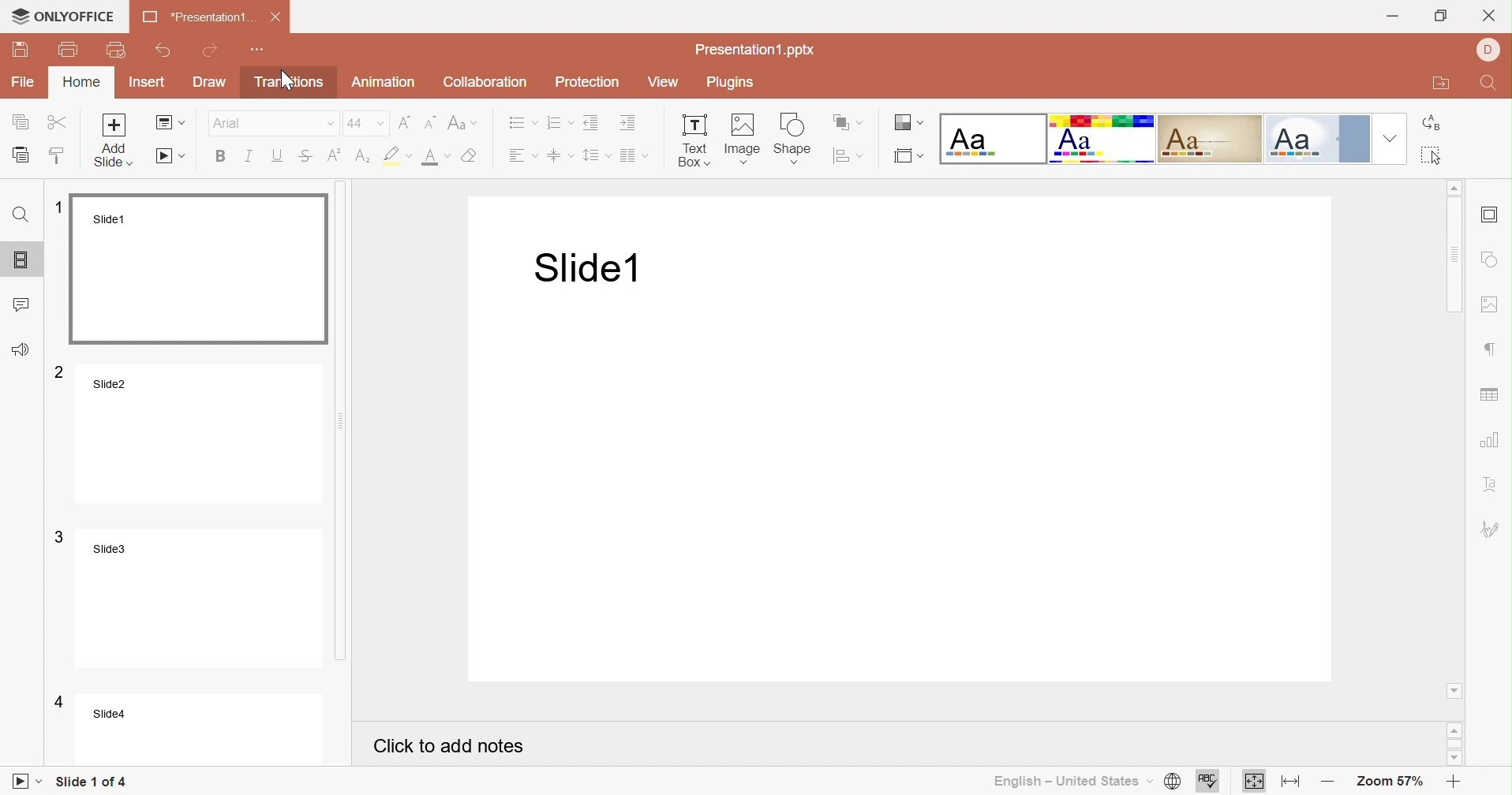 The image size is (1512, 795). Describe the element at coordinates (1391, 783) in the screenshot. I see `Zoom 57%` at that location.